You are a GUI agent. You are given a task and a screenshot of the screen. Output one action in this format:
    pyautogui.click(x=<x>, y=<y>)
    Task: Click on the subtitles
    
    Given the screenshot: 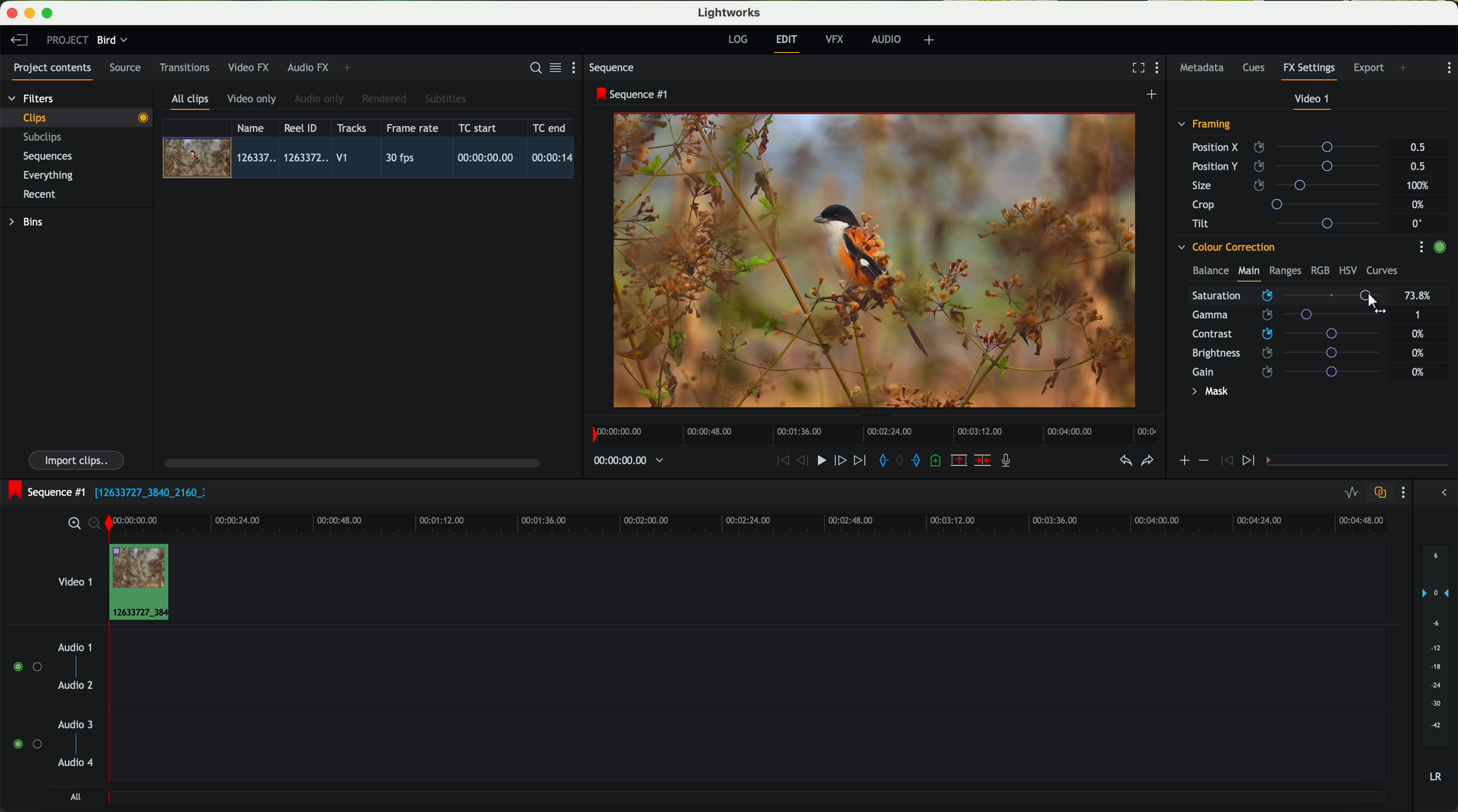 What is the action you would take?
    pyautogui.click(x=444, y=99)
    